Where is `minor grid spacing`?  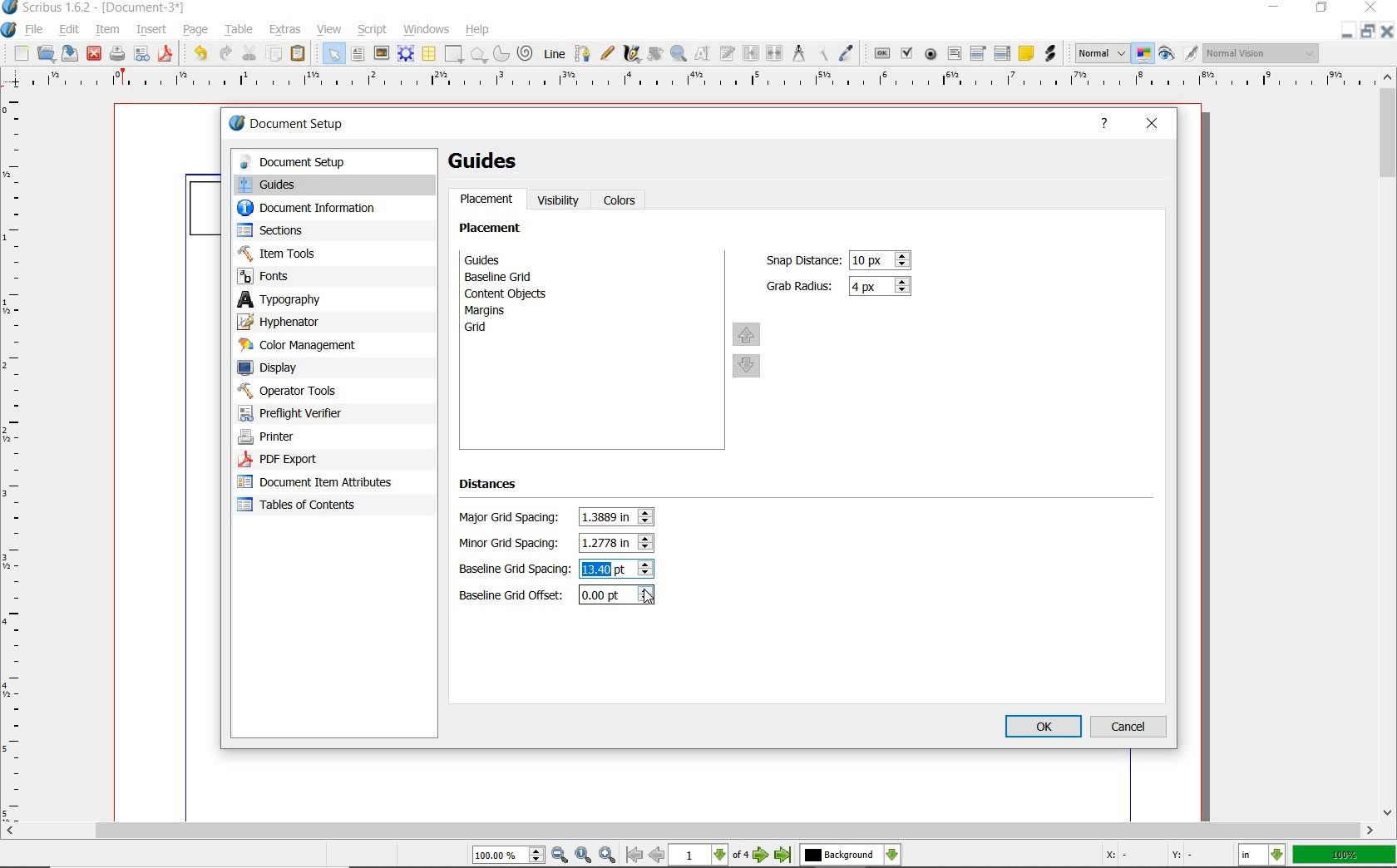 minor grid spacing is located at coordinates (605, 542).